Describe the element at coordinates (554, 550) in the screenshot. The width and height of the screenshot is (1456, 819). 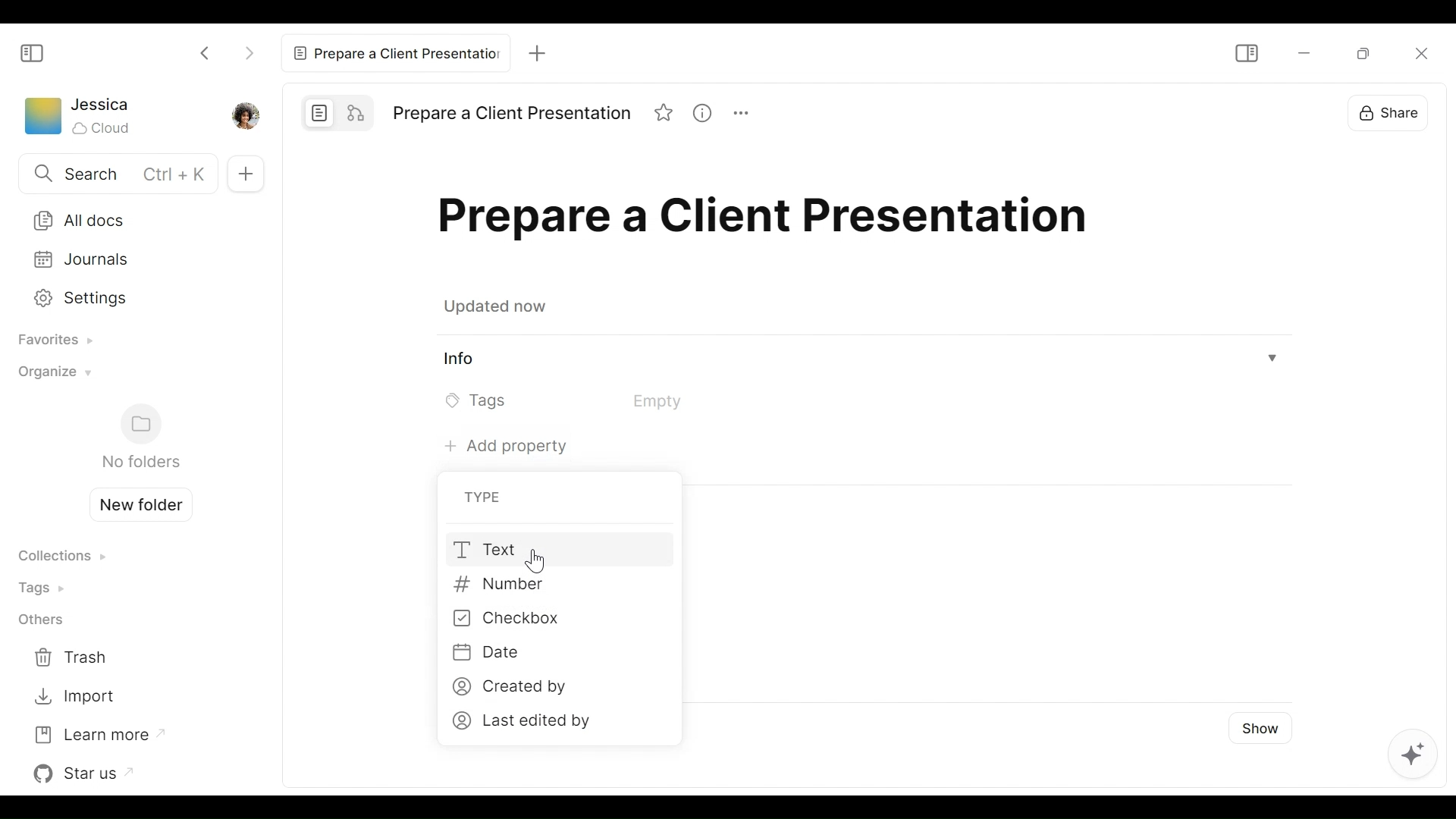
I see `Text` at that location.